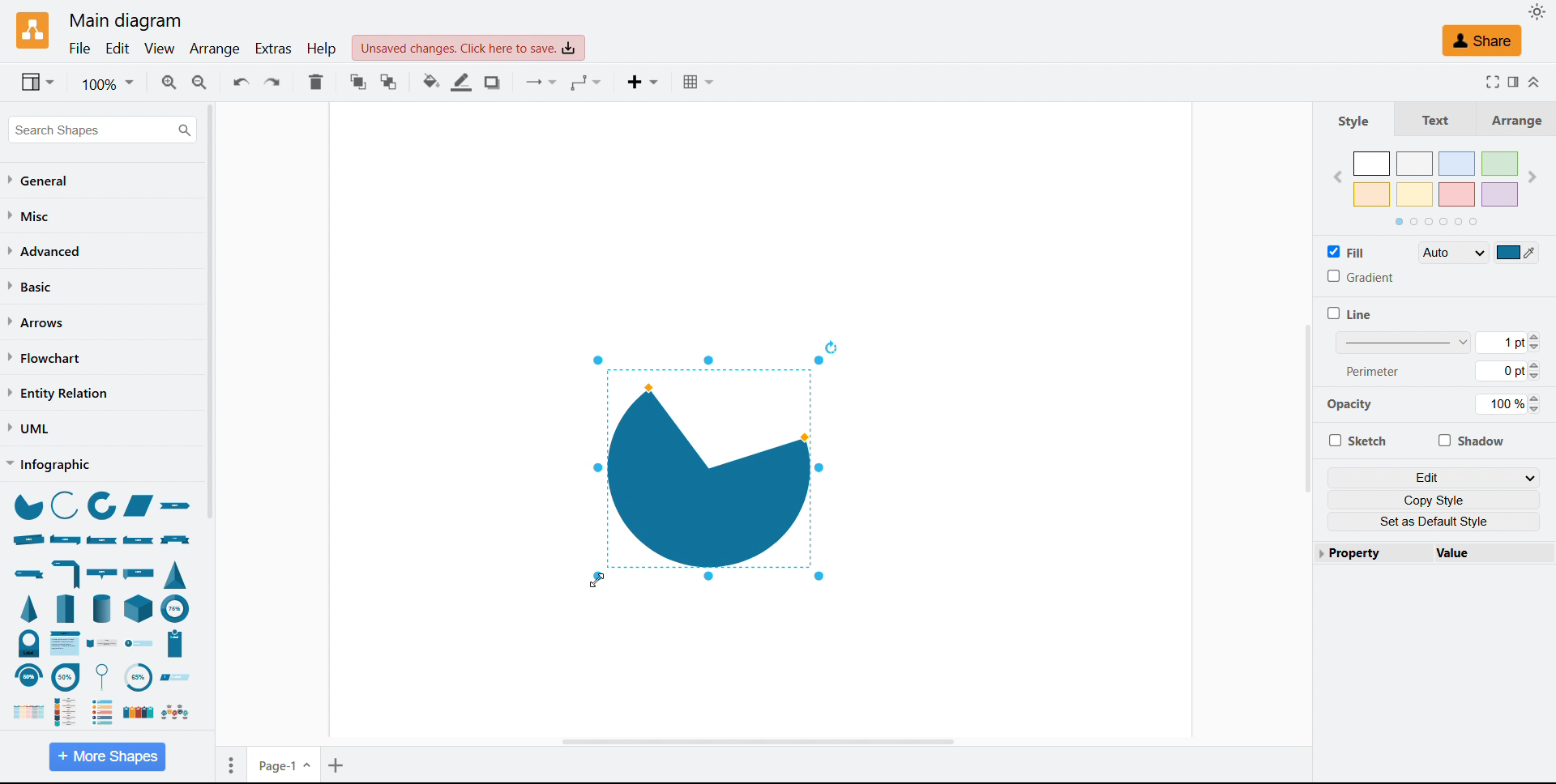 The width and height of the screenshot is (1556, 784). Describe the element at coordinates (1434, 522) in the screenshot. I see `Set as default style ` at that location.